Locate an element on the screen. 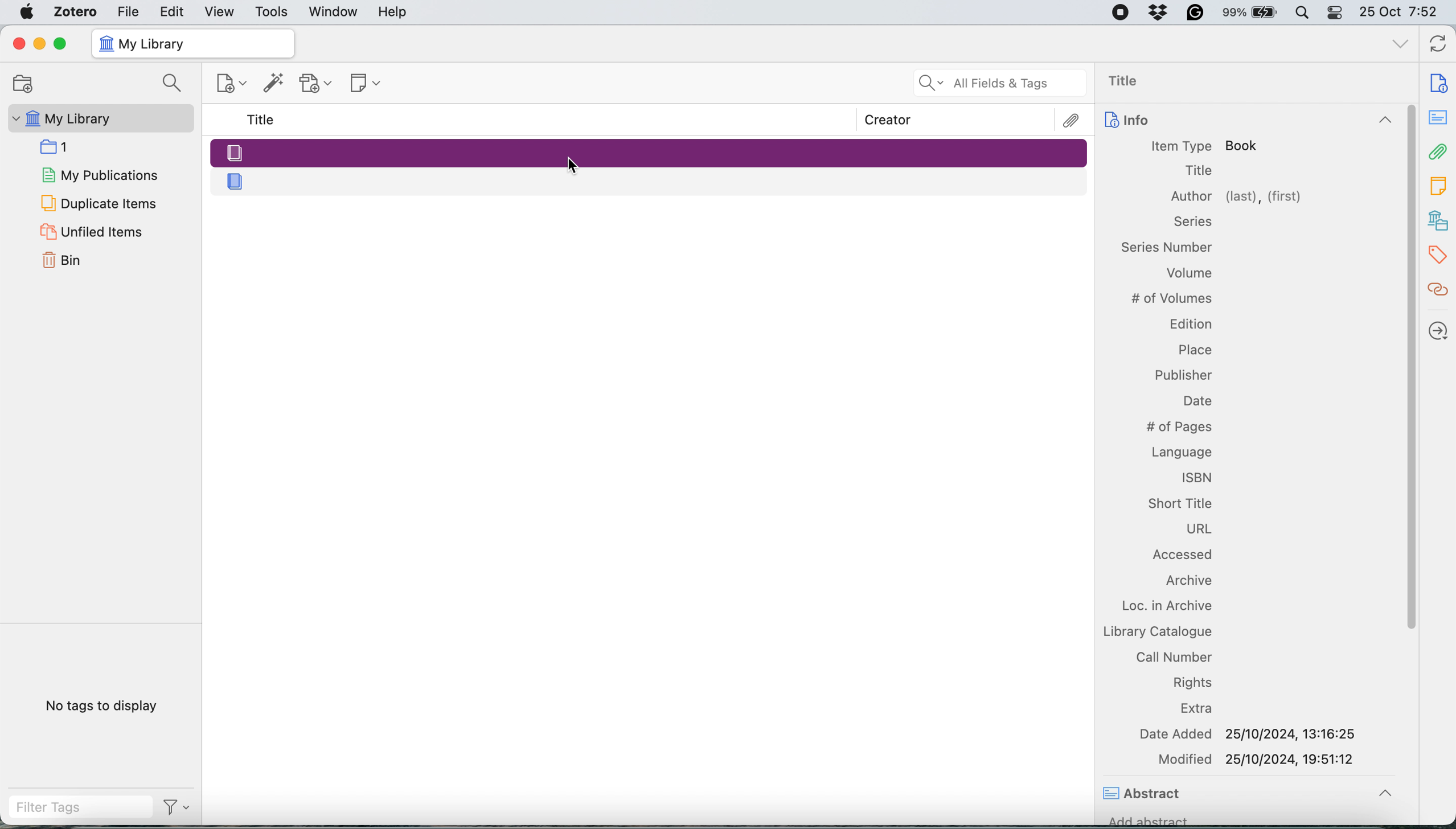 This screenshot has height=829, width=1456. Add Attachment is located at coordinates (316, 84).